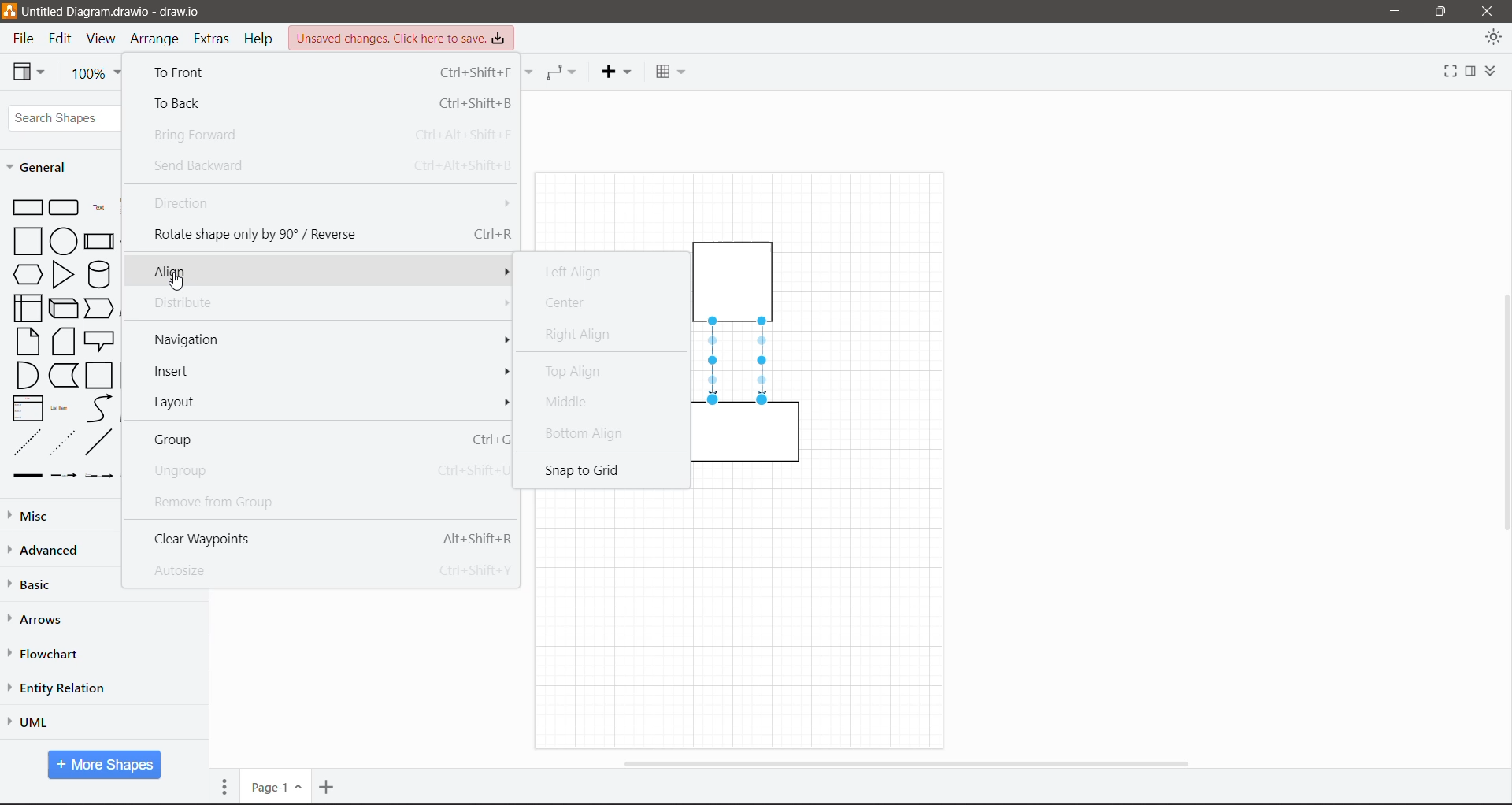  Describe the element at coordinates (581, 273) in the screenshot. I see `Left Align` at that location.